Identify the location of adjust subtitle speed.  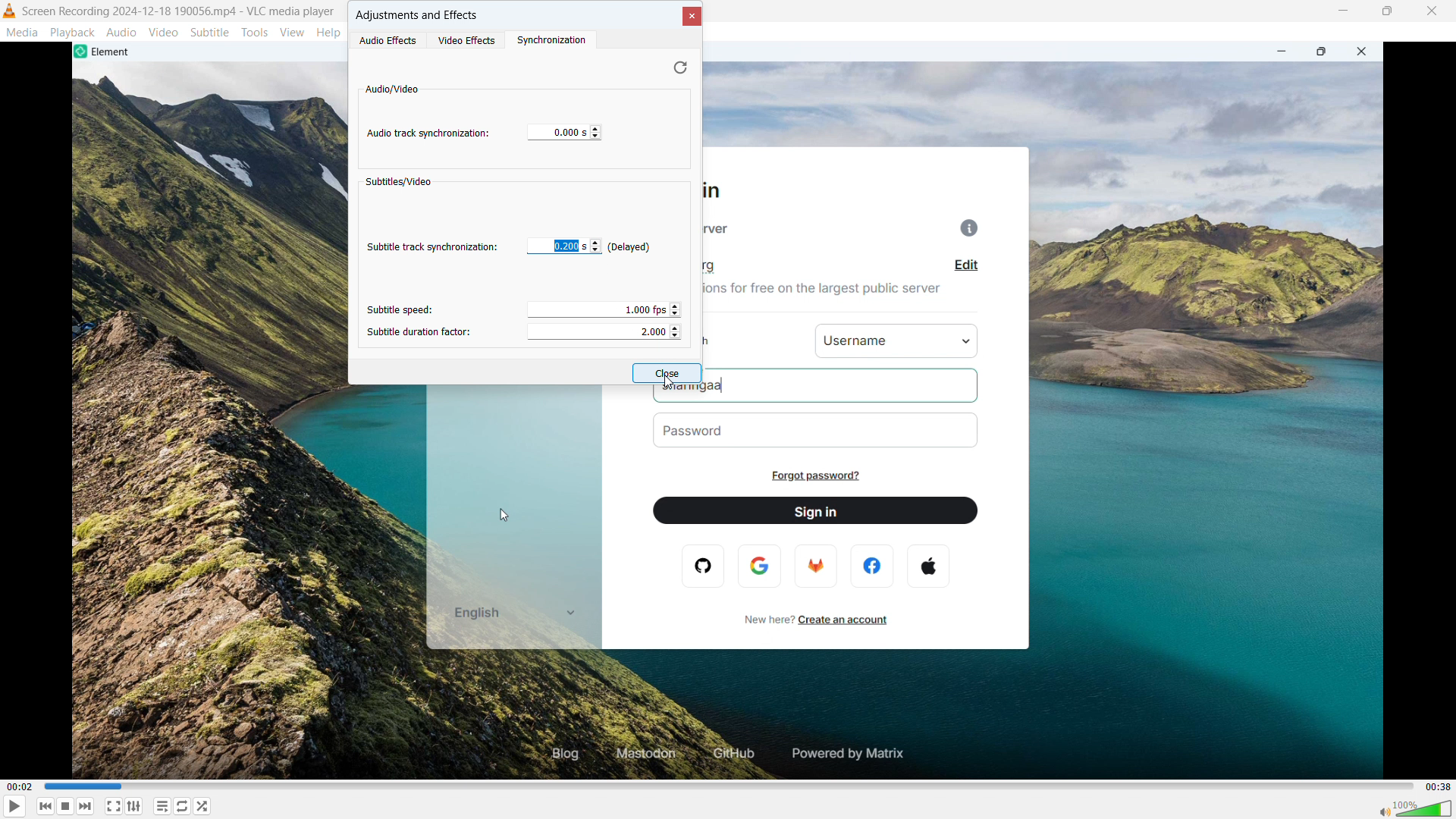
(603, 310).